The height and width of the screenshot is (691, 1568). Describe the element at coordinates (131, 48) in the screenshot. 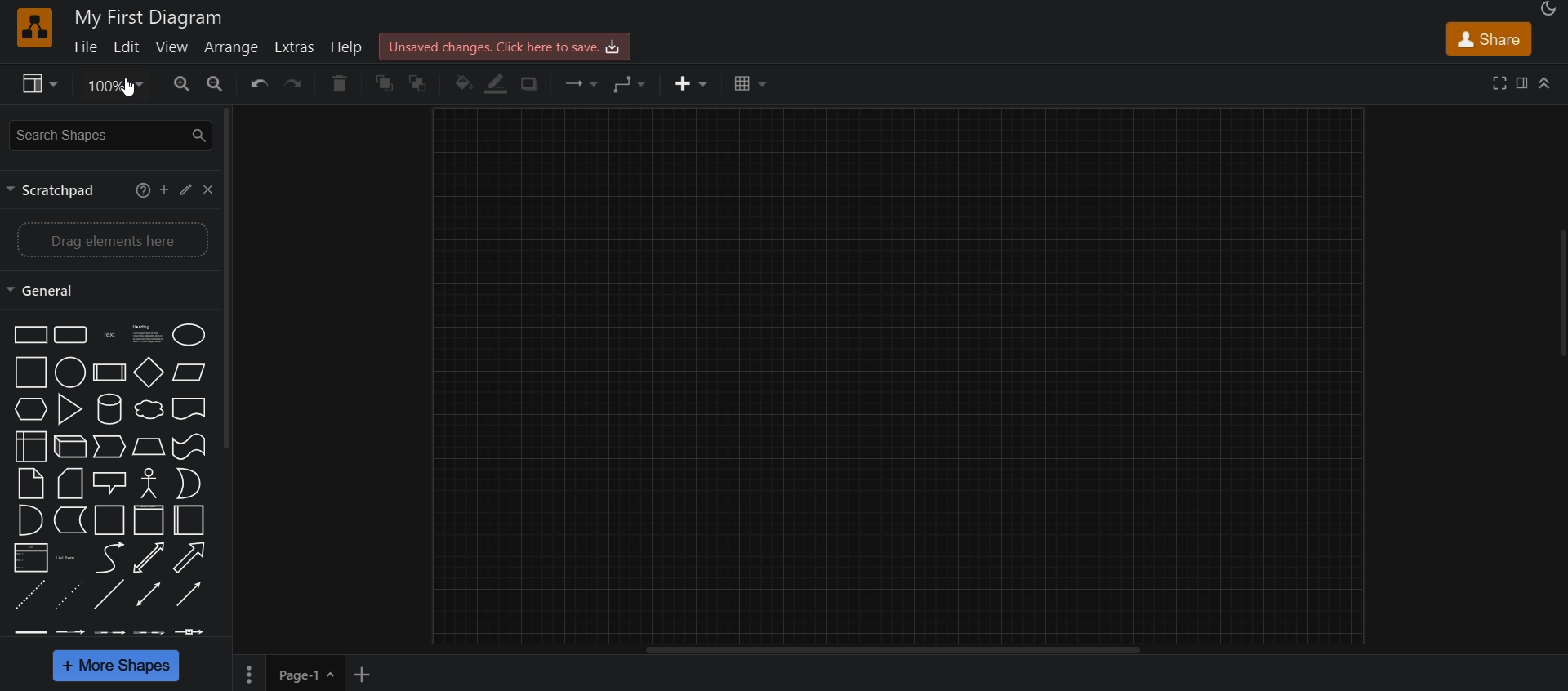

I see `edit` at that location.